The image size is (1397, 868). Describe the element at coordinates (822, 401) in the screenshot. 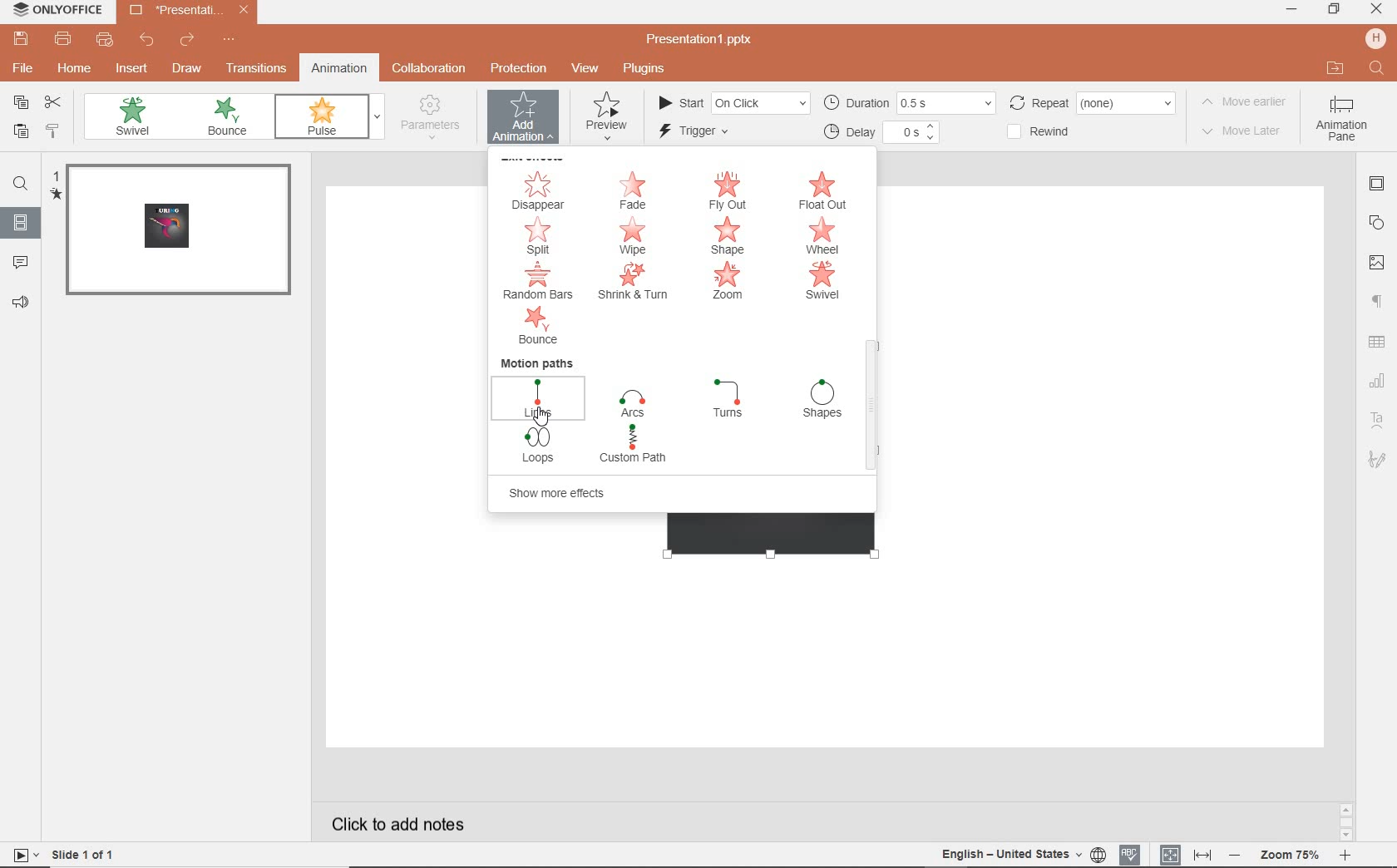

I see `shapes` at that location.